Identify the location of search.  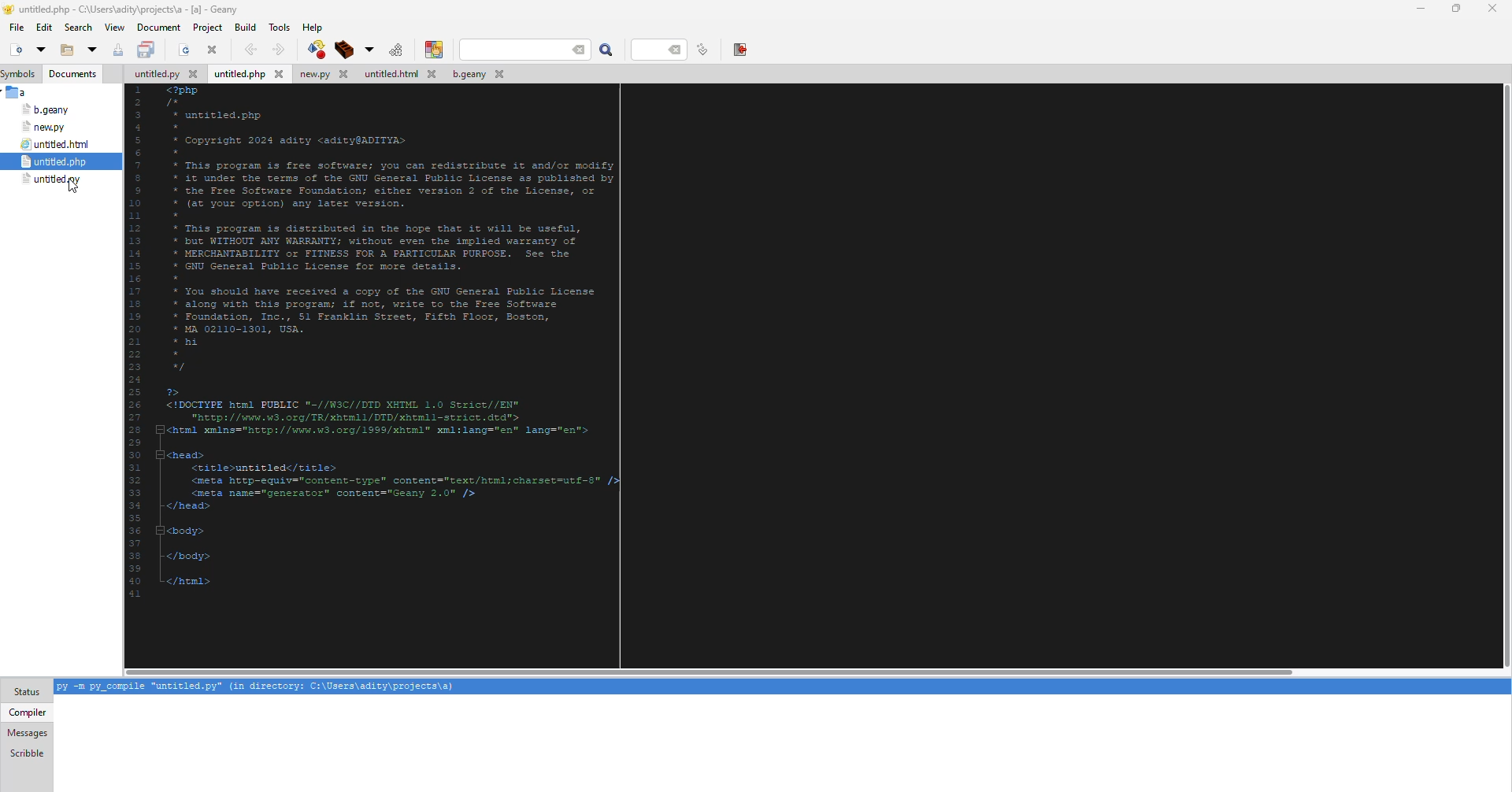
(528, 49).